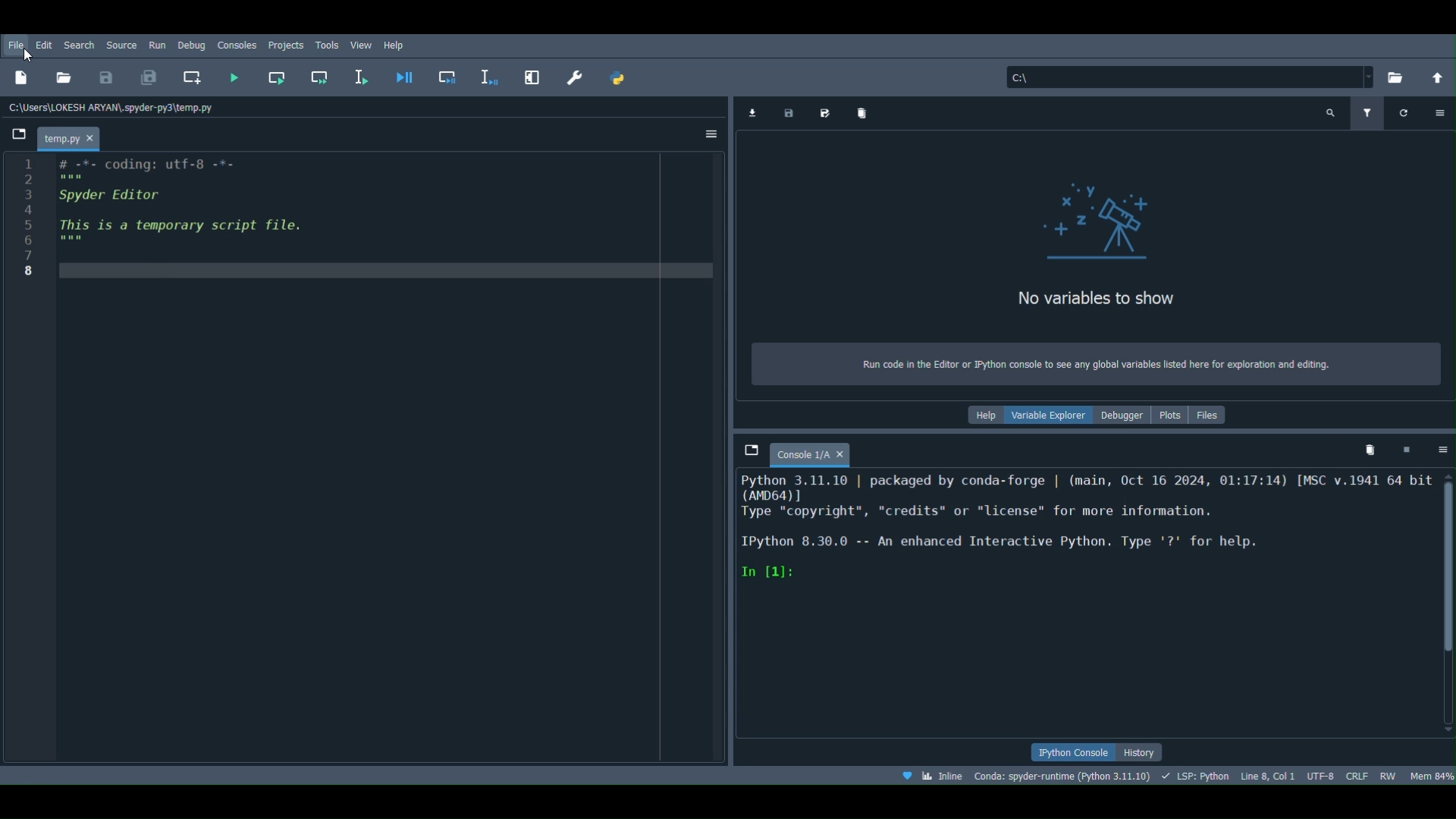  Describe the element at coordinates (1439, 79) in the screenshot. I see `Change to parent directory` at that location.